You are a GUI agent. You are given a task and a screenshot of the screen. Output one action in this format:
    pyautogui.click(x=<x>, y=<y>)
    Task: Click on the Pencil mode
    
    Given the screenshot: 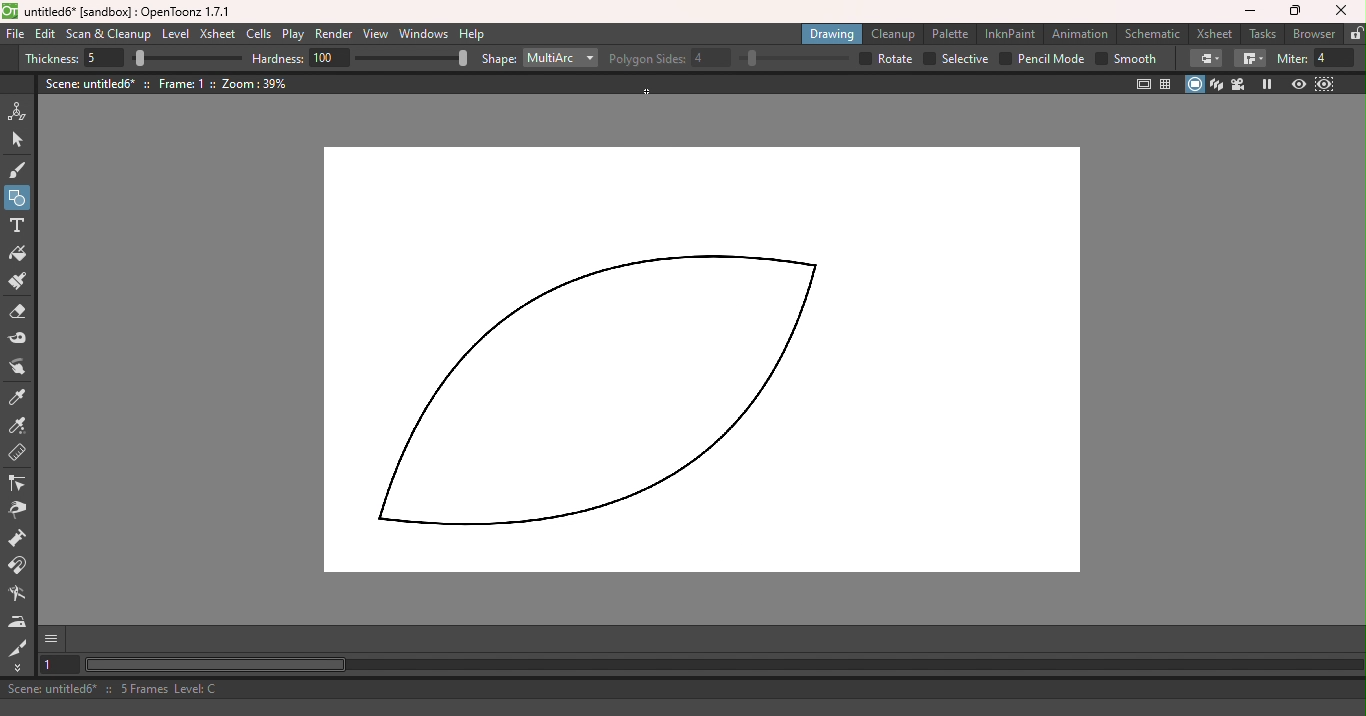 What is the action you would take?
    pyautogui.click(x=1041, y=60)
    